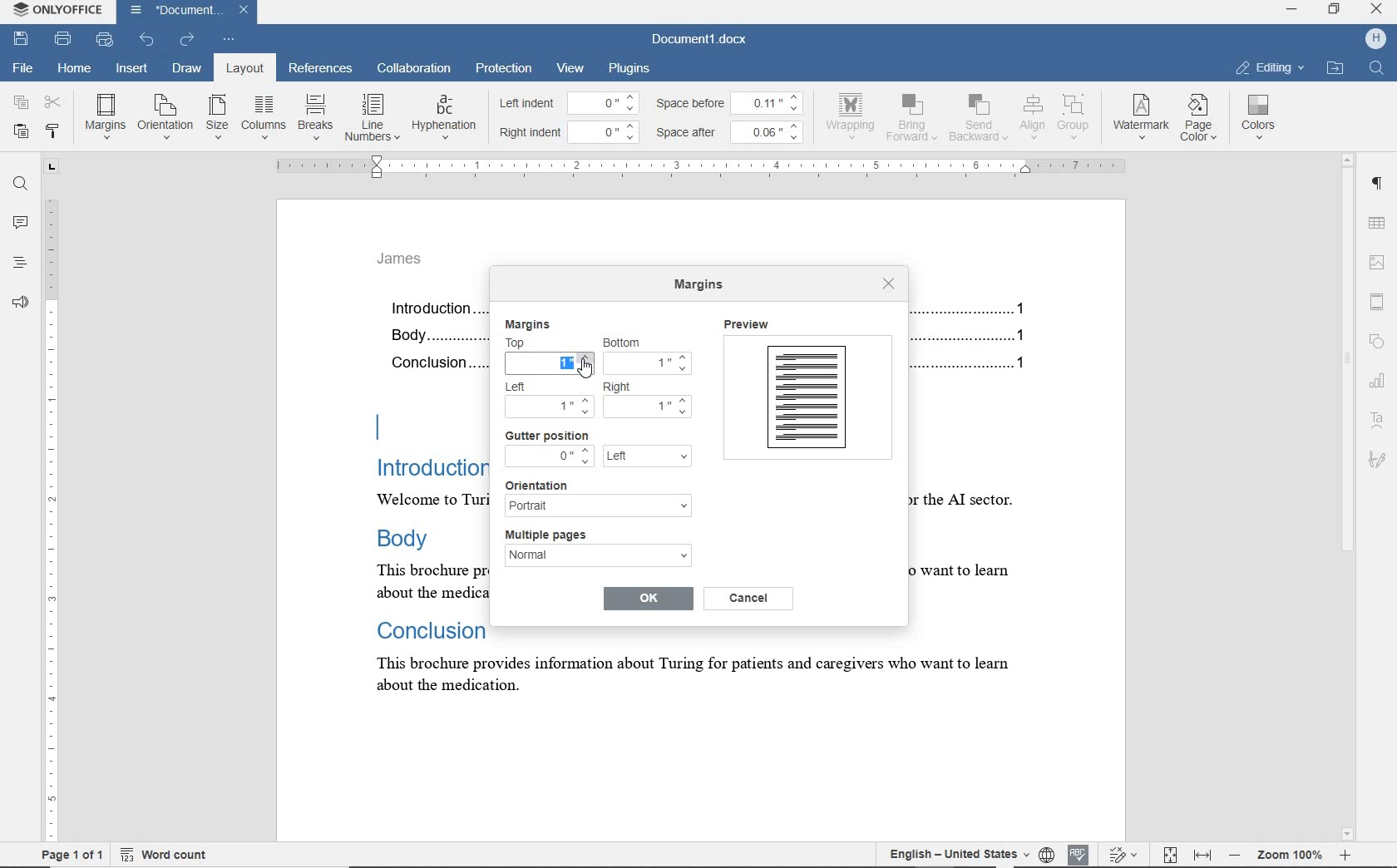 This screenshot has width=1397, height=868. Describe the element at coordinates (72, 854) in the screenshot. I see `page 1 of 1` at that location.